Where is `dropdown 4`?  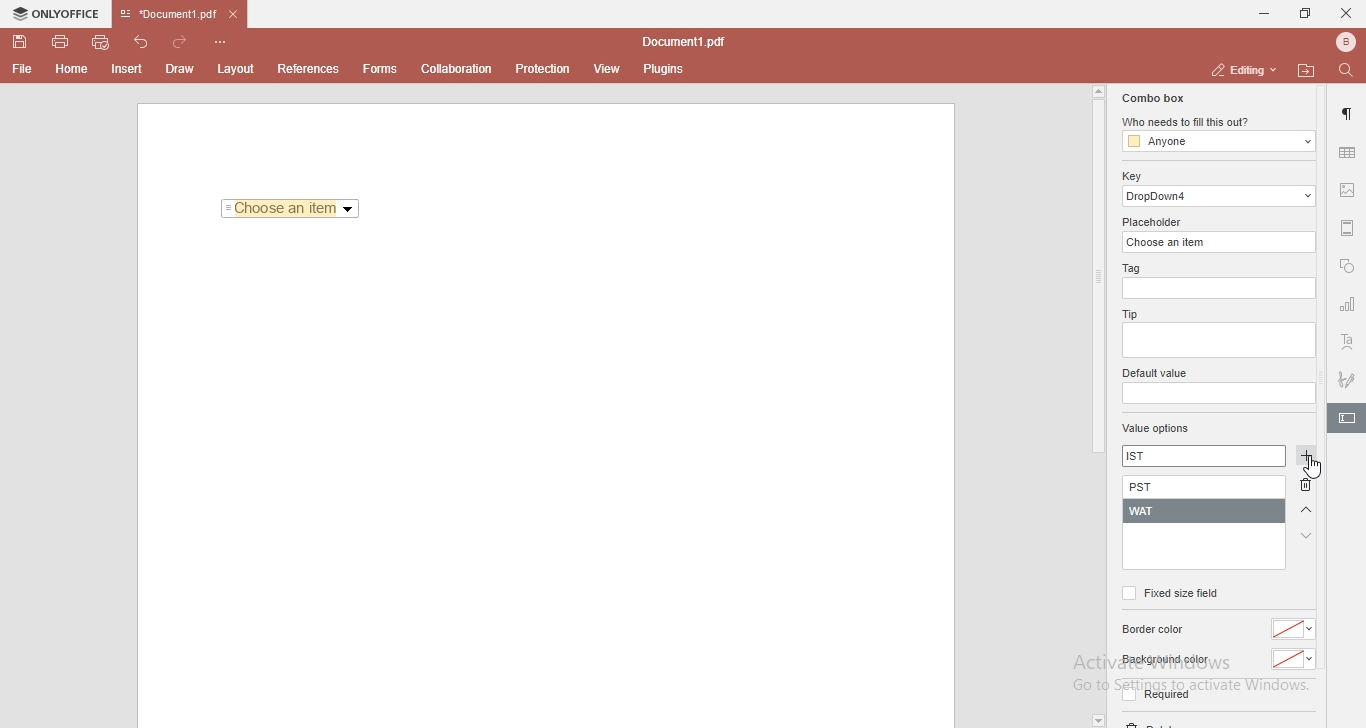
dropdown 4 is located at coordinates (1220, 196).